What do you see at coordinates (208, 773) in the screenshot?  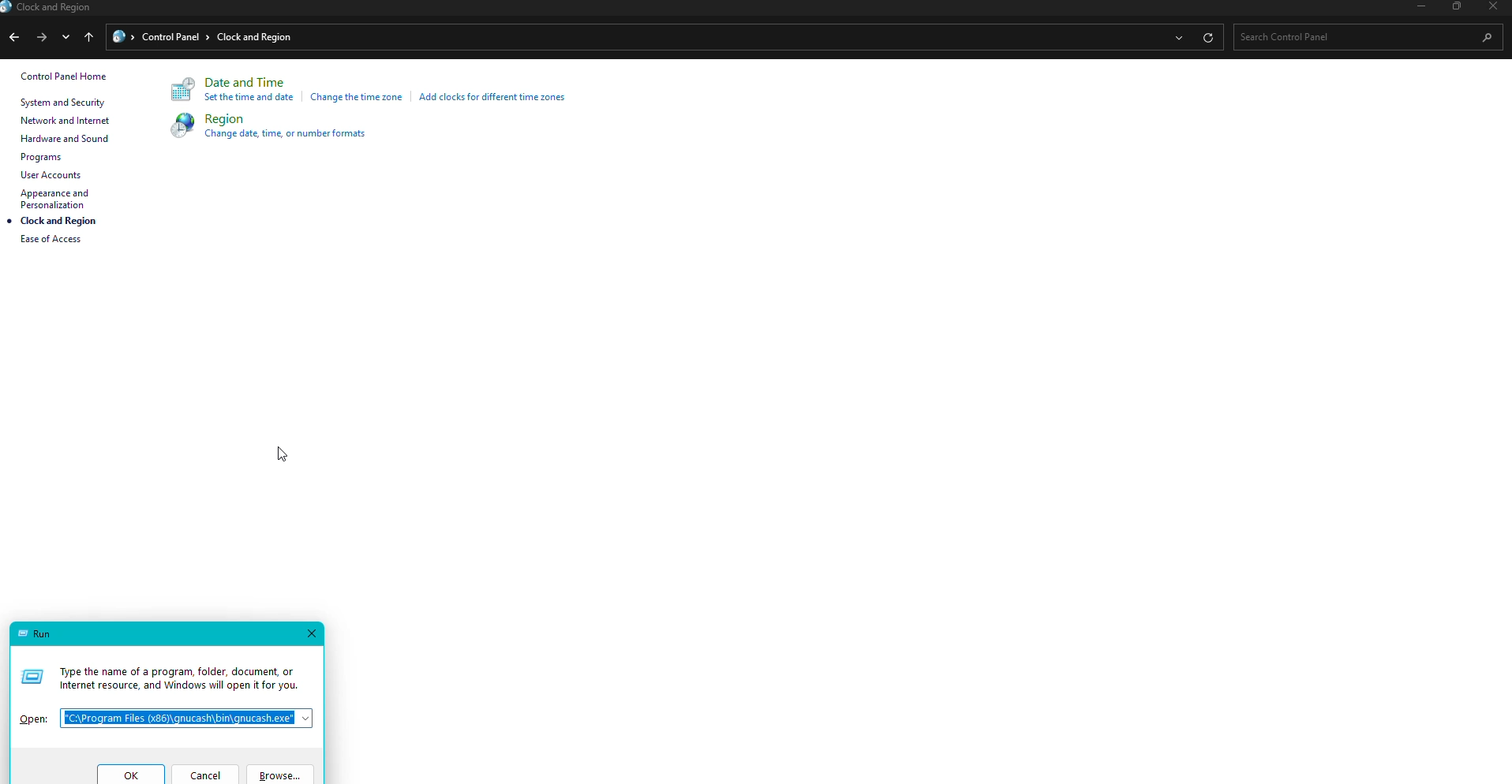 I see `Cancel` at bounding box center [208, 773].